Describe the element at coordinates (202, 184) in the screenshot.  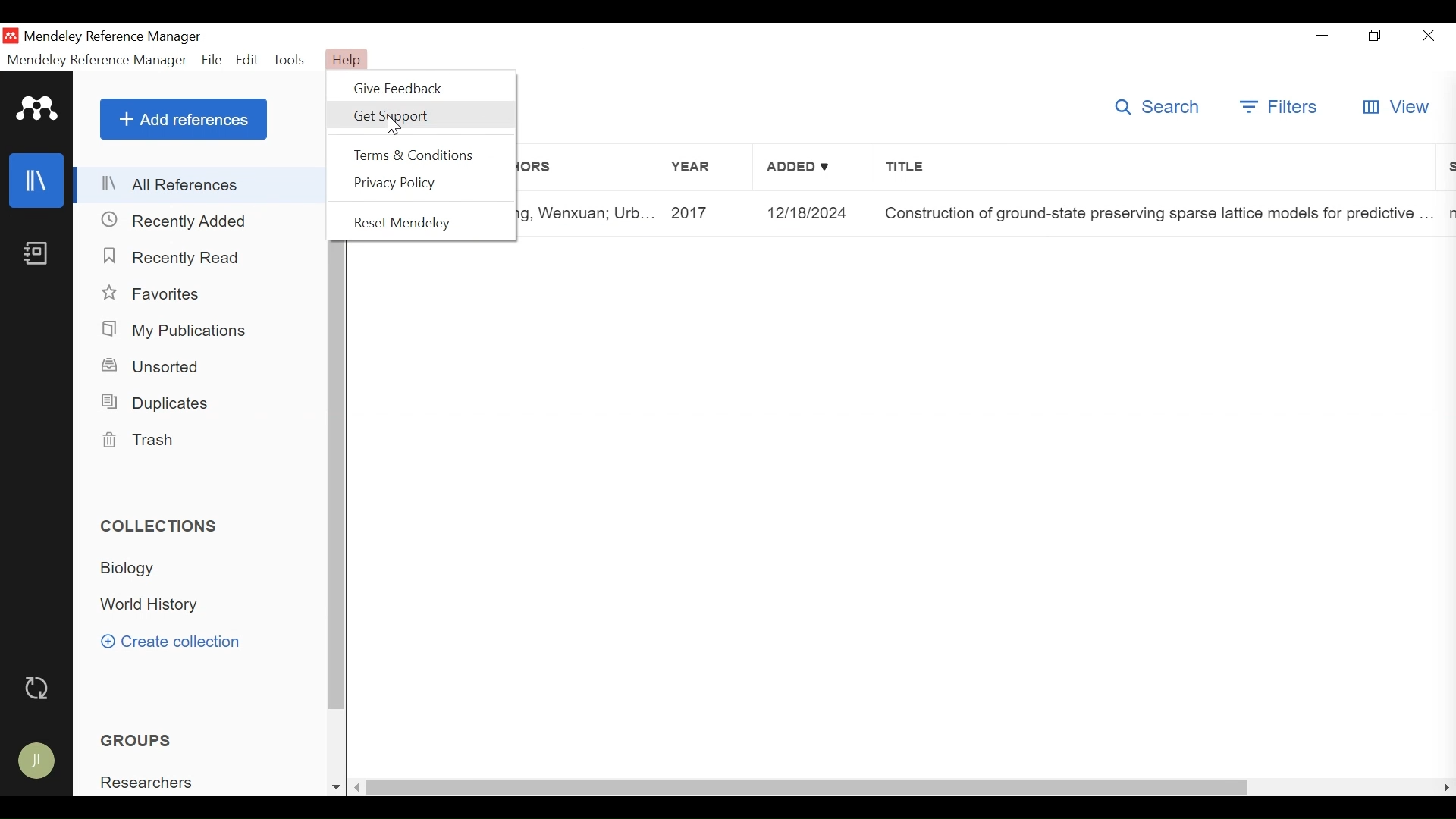
I see `All References` at that location.